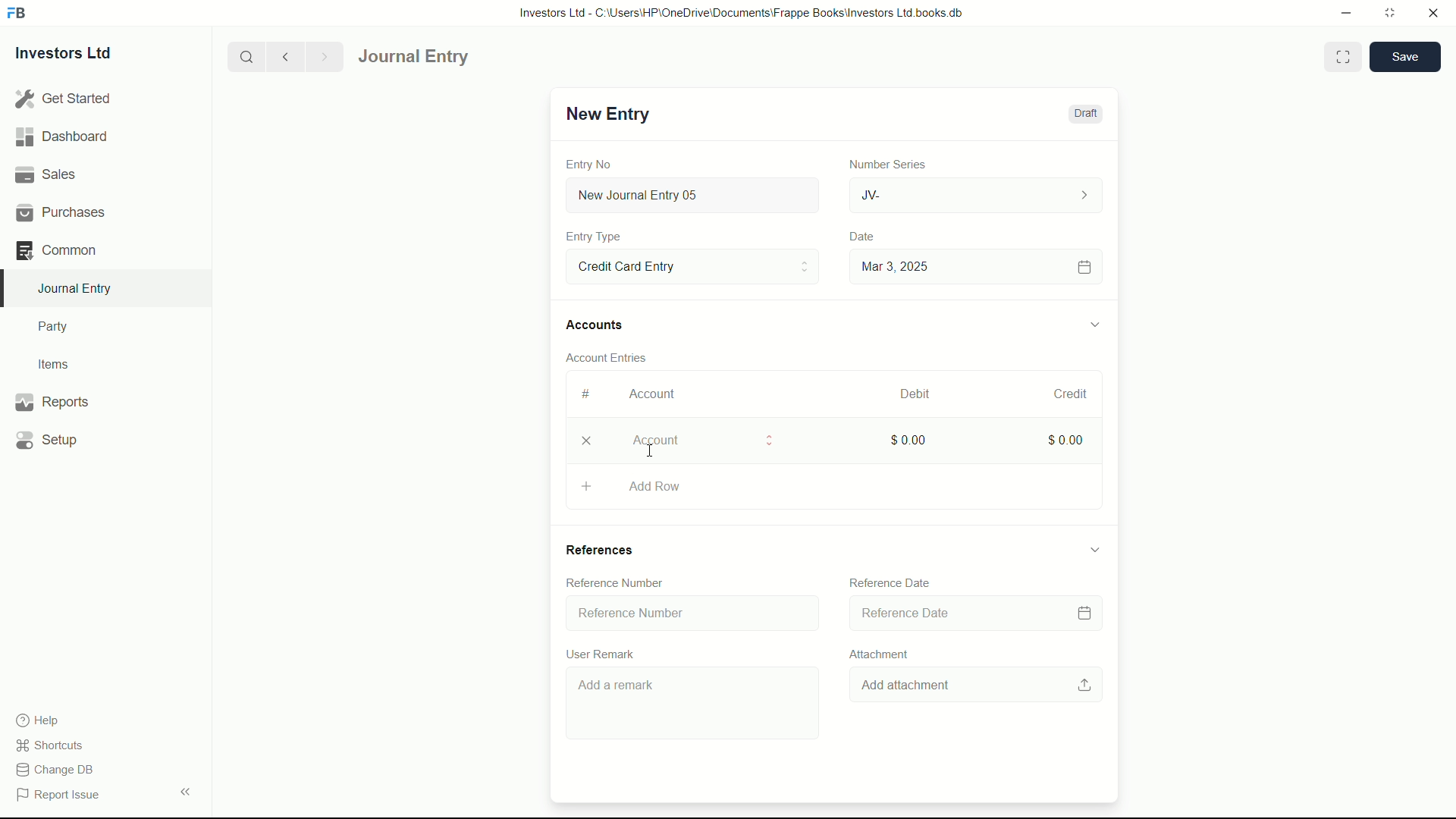 This screenshot has height=819, width=1456. Describe the element at coordinates (594, 237) in the screenshot. I see `Entry Type` at that location.